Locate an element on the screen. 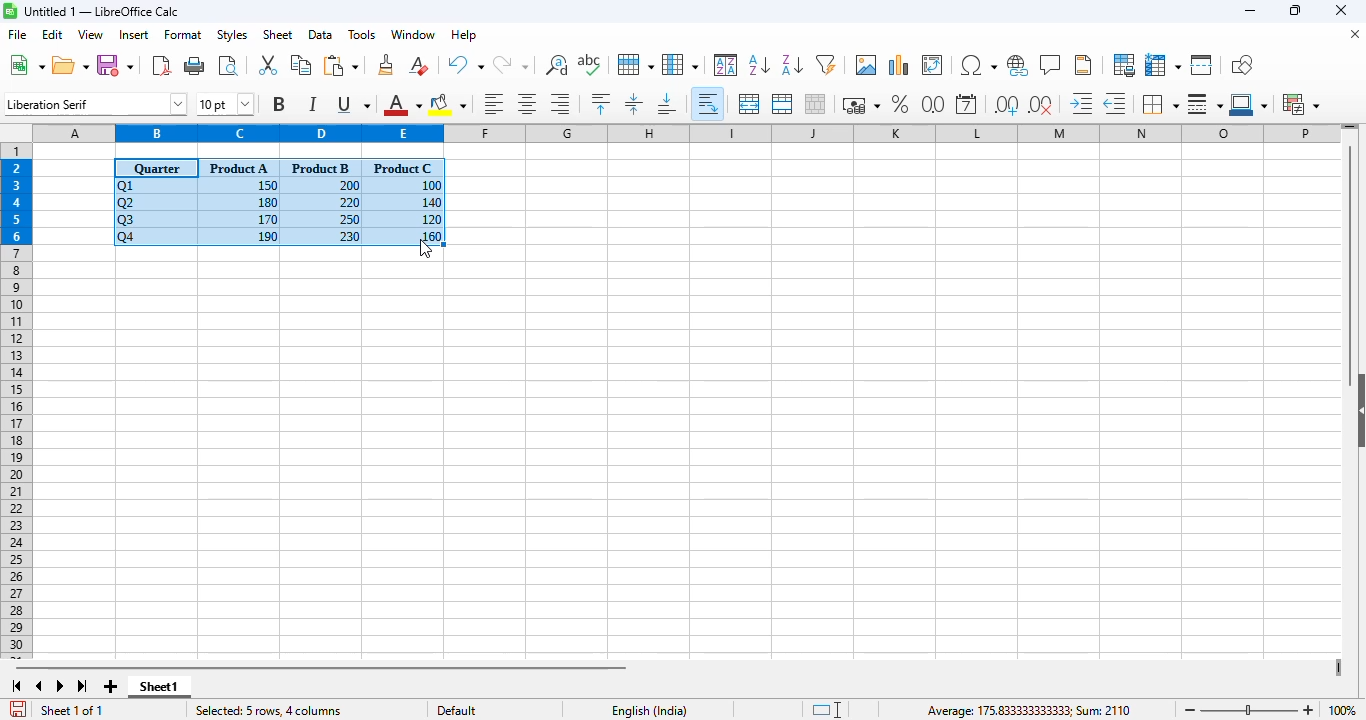  add new sheet is located at coordinates (108, 686).